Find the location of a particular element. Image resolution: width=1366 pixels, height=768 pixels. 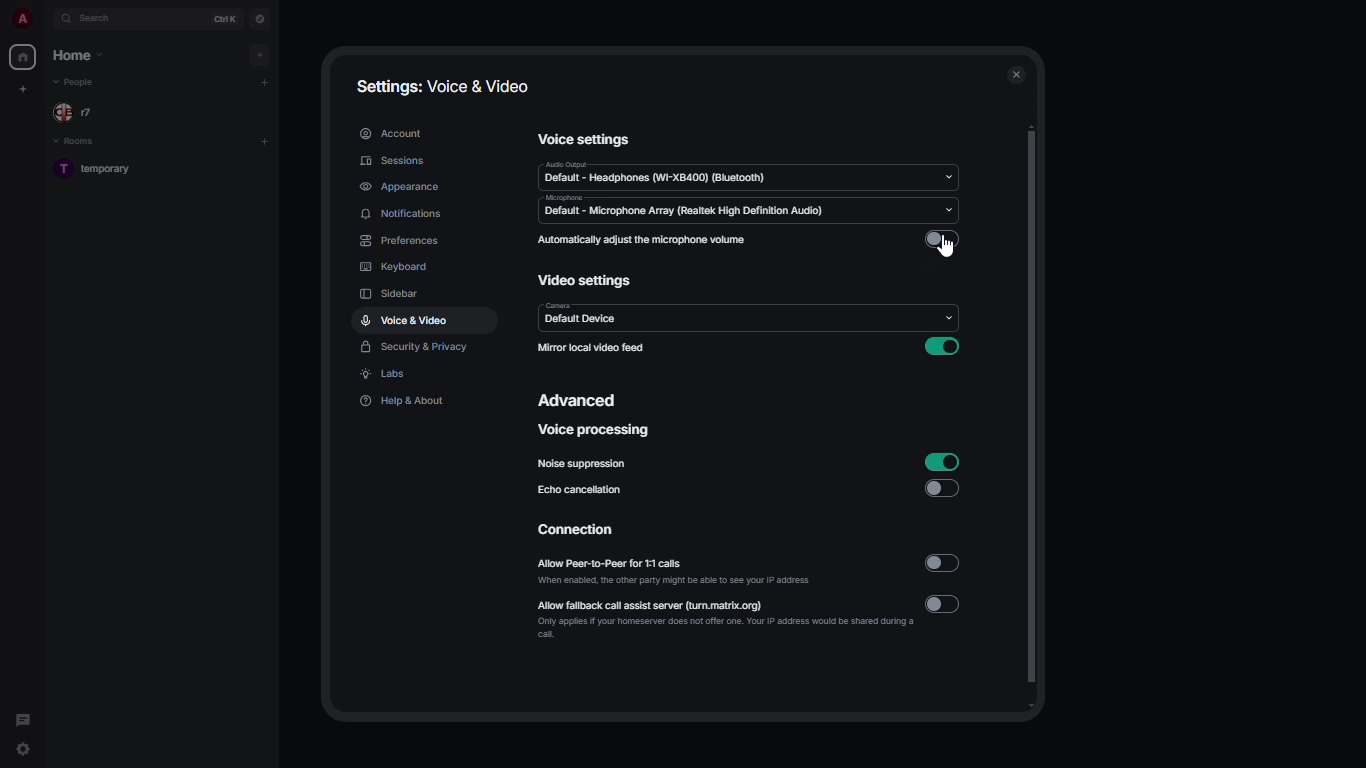

connection is located at coordinates (575, 529).